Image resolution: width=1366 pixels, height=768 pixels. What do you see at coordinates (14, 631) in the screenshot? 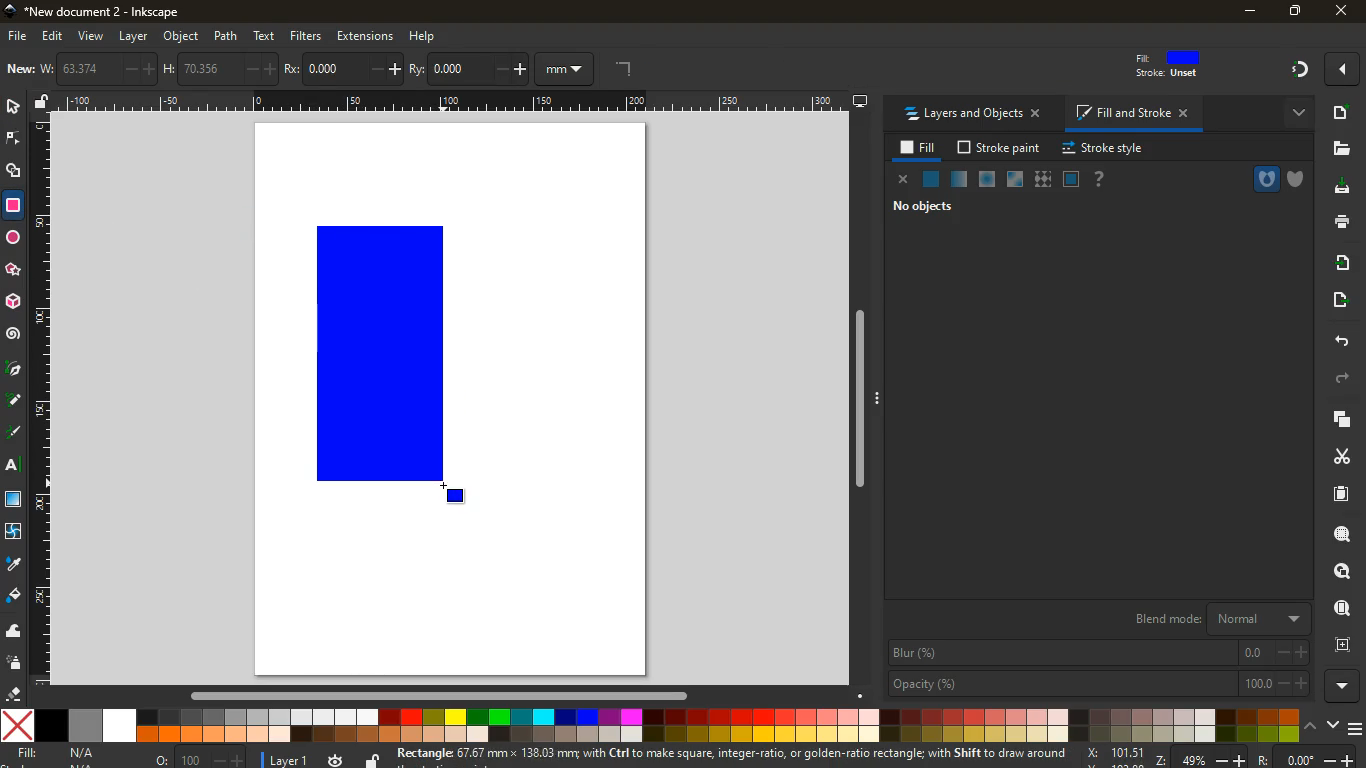
I see `wave` at bounding box center [14, 631].